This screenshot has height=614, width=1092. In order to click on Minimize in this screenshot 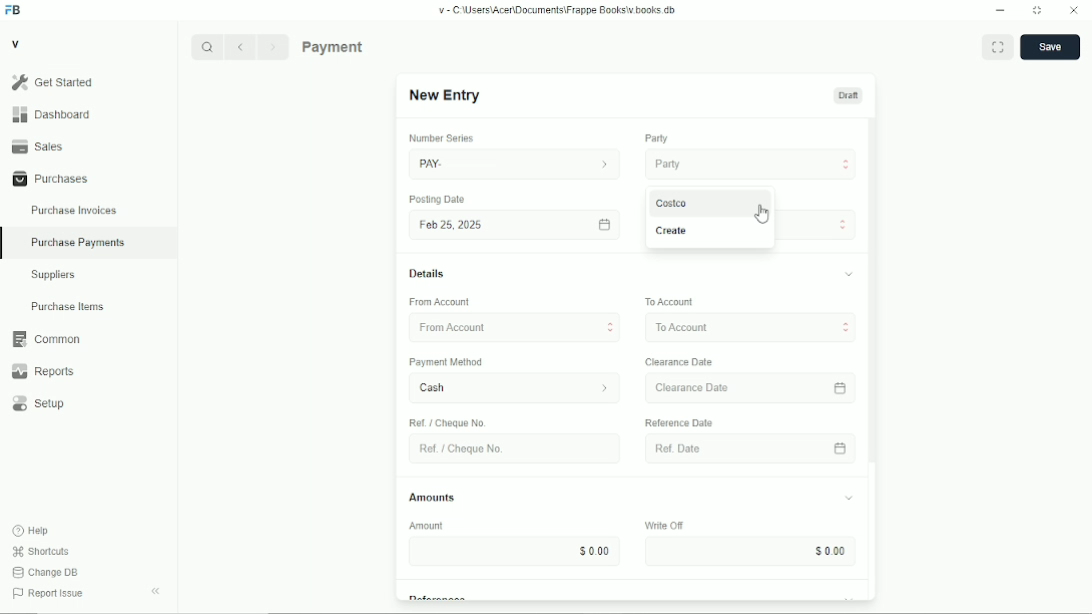, I will do `click(1000, 10)`.